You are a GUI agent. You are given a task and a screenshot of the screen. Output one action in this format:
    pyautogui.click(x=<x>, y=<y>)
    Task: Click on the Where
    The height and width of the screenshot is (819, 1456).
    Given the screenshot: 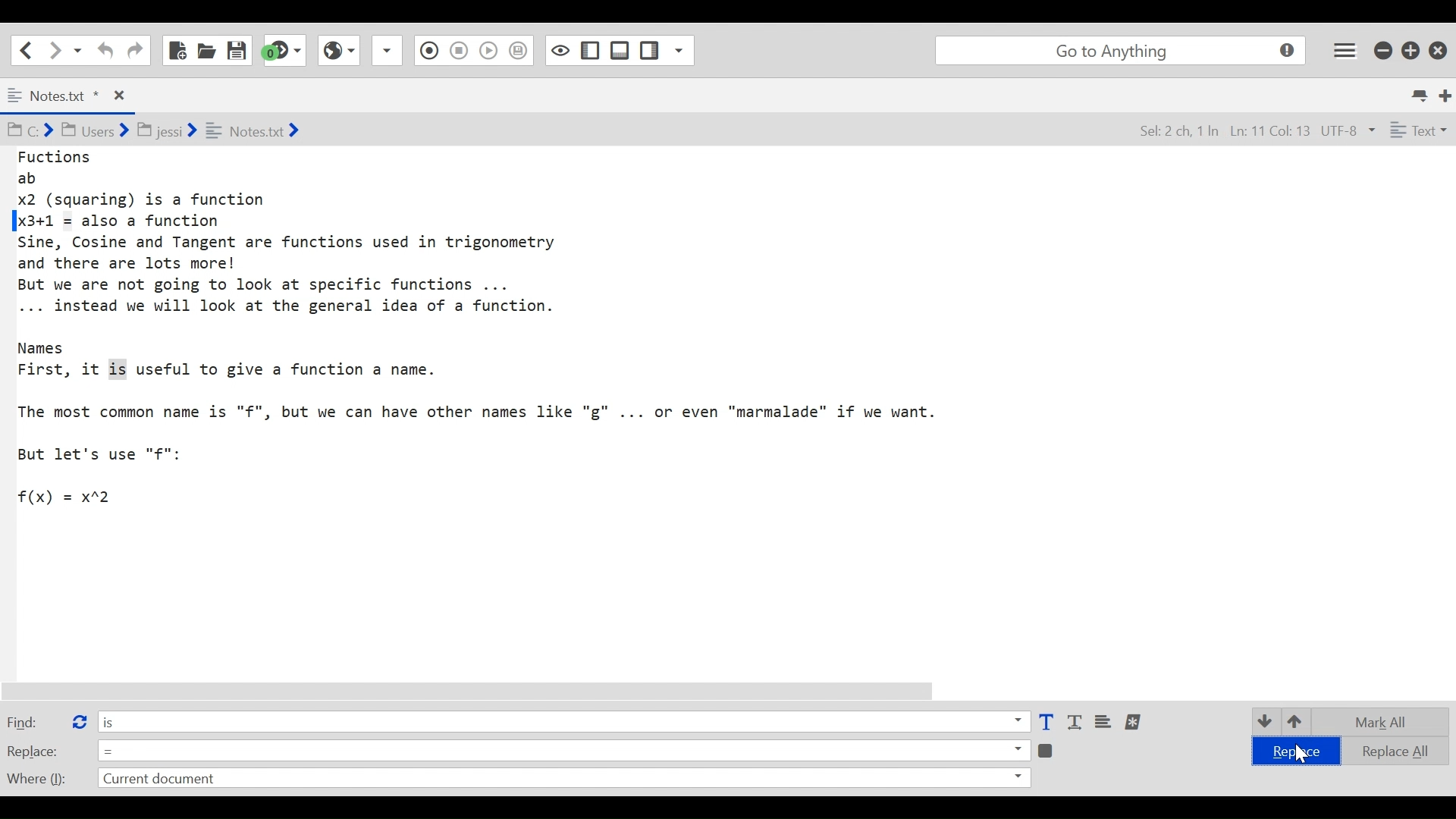 What is the action you would take?
    pyautogui.click(x=35, y=777)
    